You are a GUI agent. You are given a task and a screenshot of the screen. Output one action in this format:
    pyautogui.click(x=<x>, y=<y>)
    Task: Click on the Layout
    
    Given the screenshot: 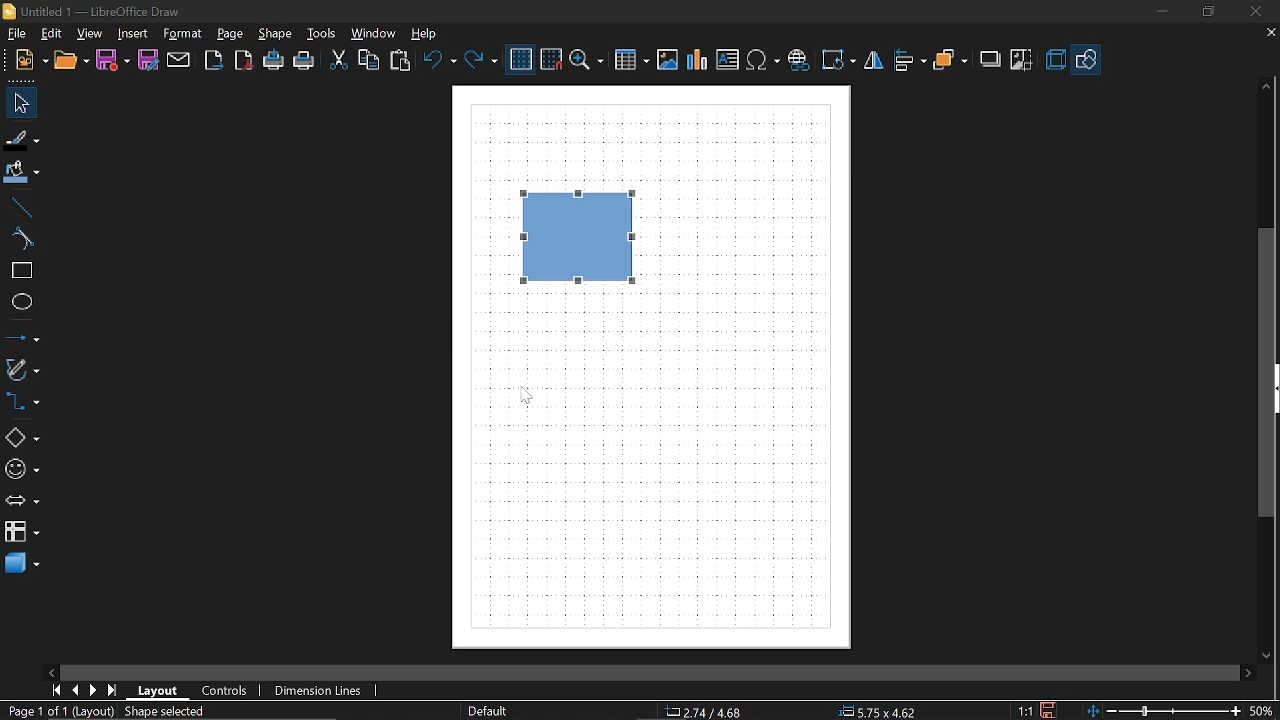 What is the action you would take?
    pyautogui.click(x=159, y=691)
    